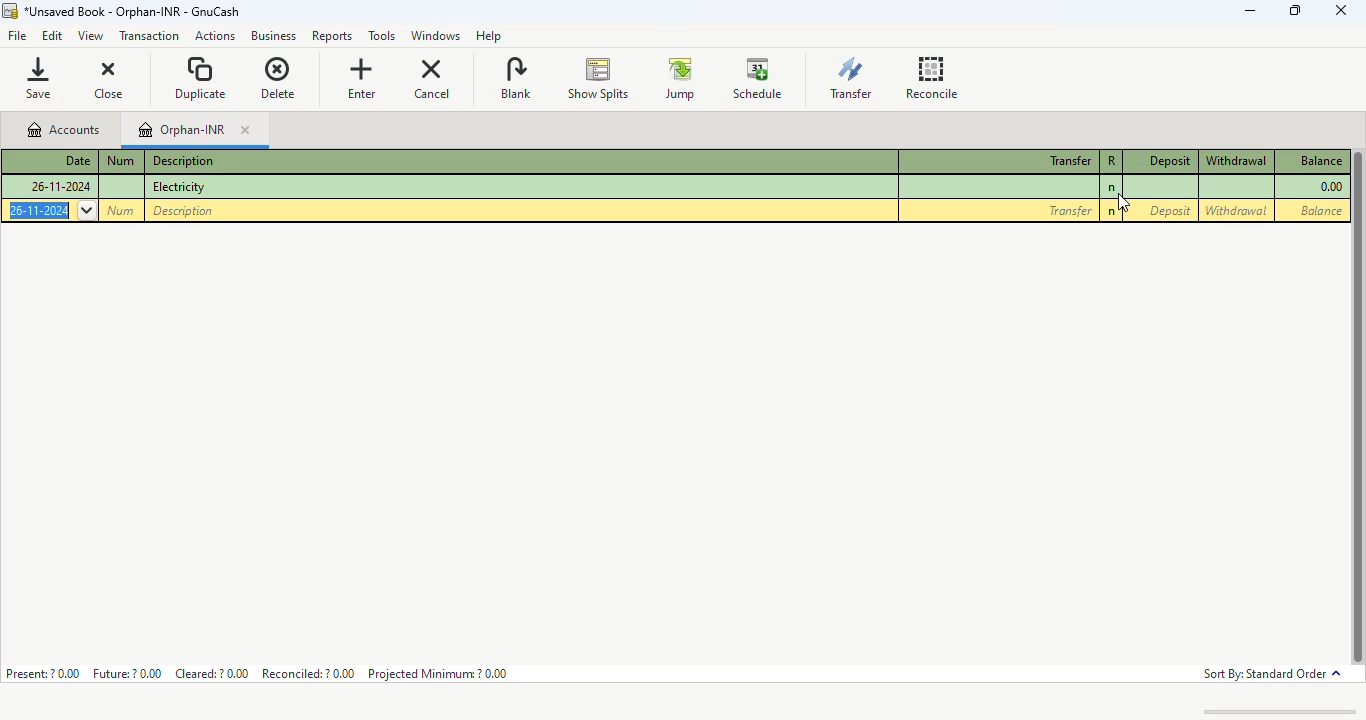 This screenshot has width=1366, height=720. I want to click on reconcile, so click(1112, 160).